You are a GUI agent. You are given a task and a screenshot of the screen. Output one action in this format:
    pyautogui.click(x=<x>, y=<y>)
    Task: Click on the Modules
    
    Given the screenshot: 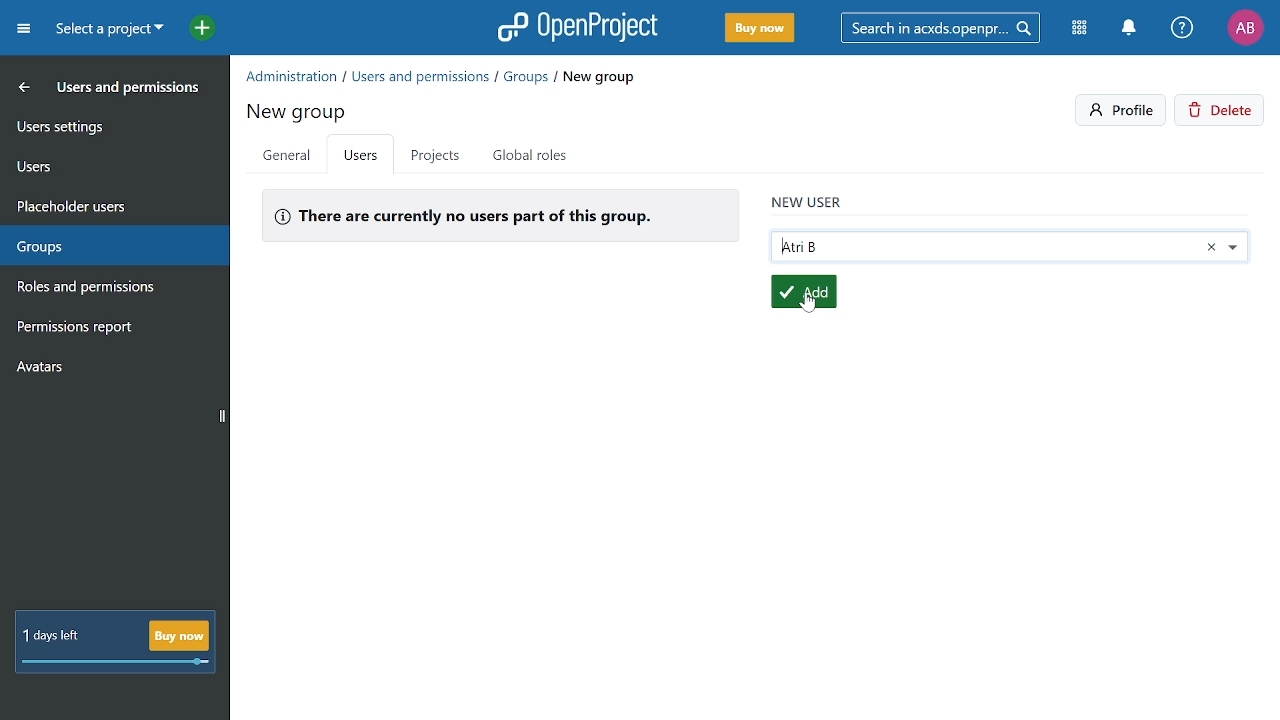 What is the action you would take?
    pyautogui.click(x=1082, y=29)
    